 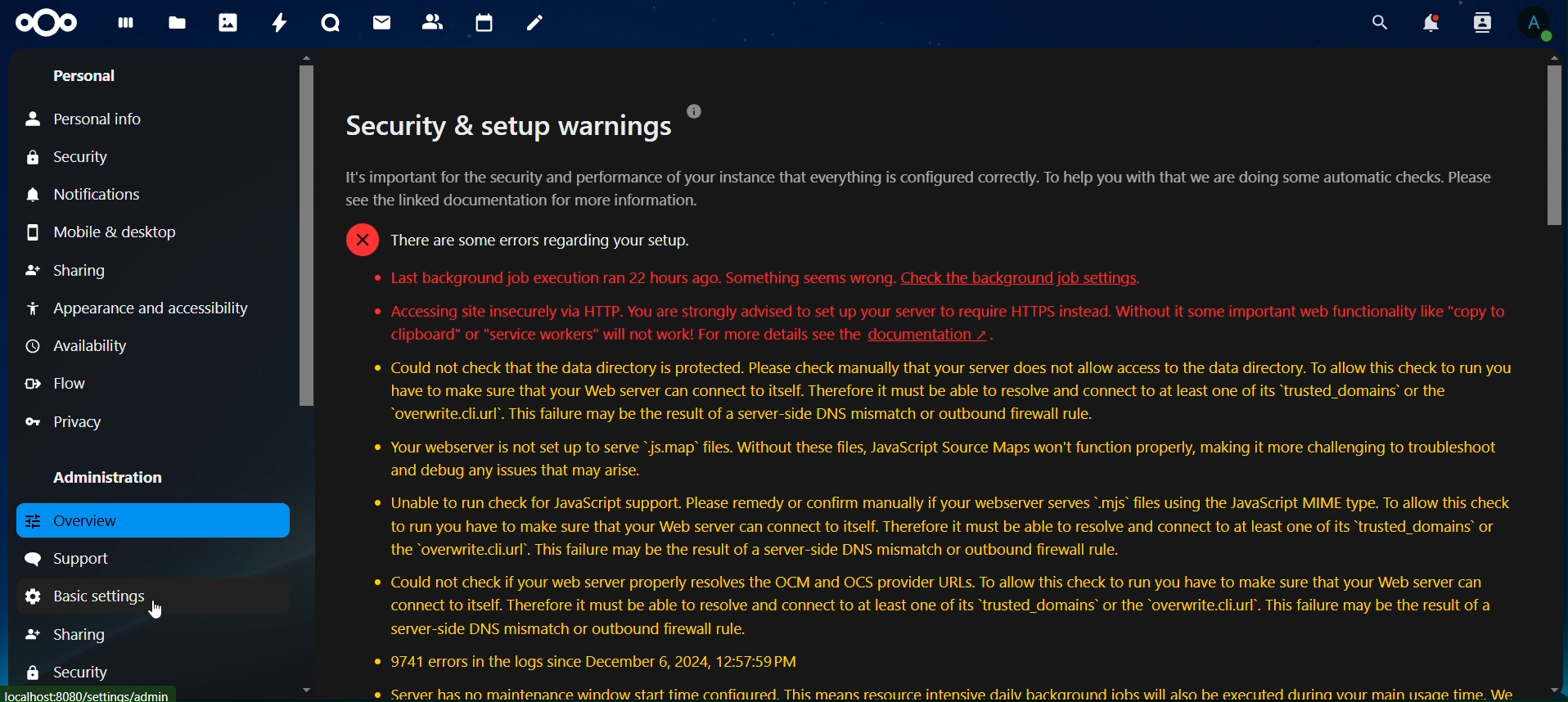 What do you see at coordinates (329, 23) in the screenshot?
I see `talk` at bounding box center [329, 23].